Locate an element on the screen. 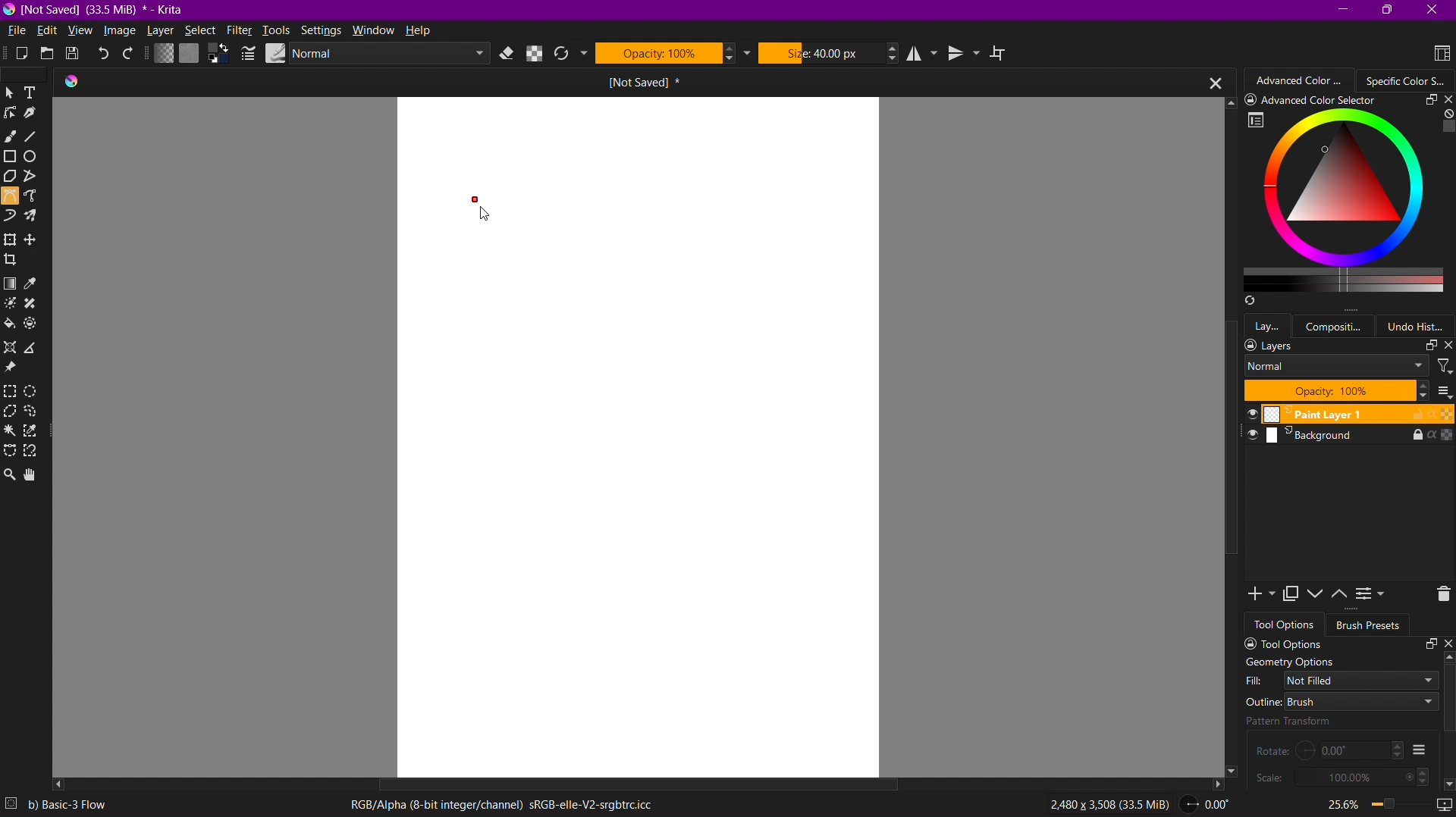 This screenshot has width=1456, height=817. Horizontal Mirror Tool is located at coordinates (924, 53).